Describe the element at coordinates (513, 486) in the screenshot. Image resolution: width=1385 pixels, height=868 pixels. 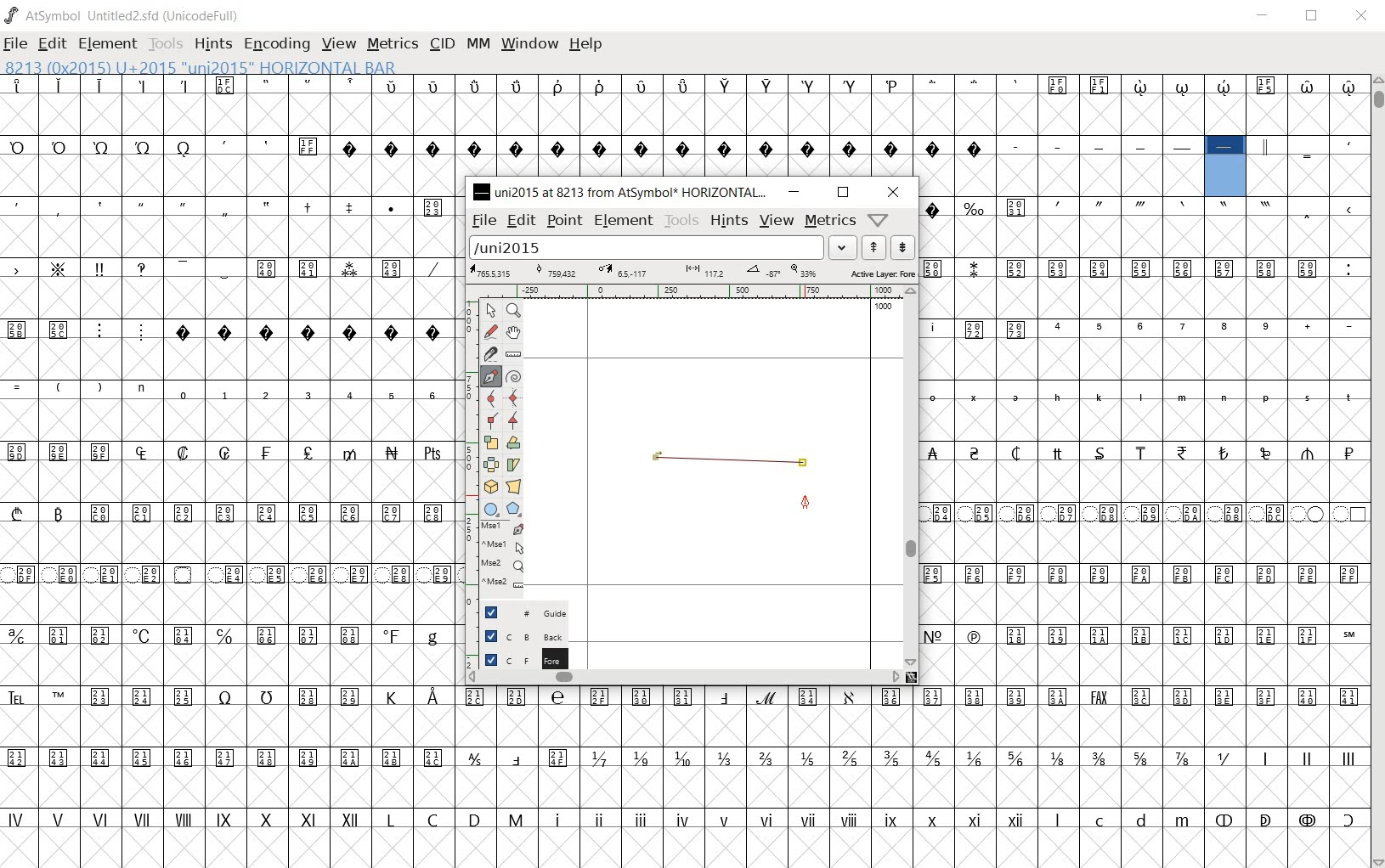
I see `perform a perspective transformation on the selection` at that location.